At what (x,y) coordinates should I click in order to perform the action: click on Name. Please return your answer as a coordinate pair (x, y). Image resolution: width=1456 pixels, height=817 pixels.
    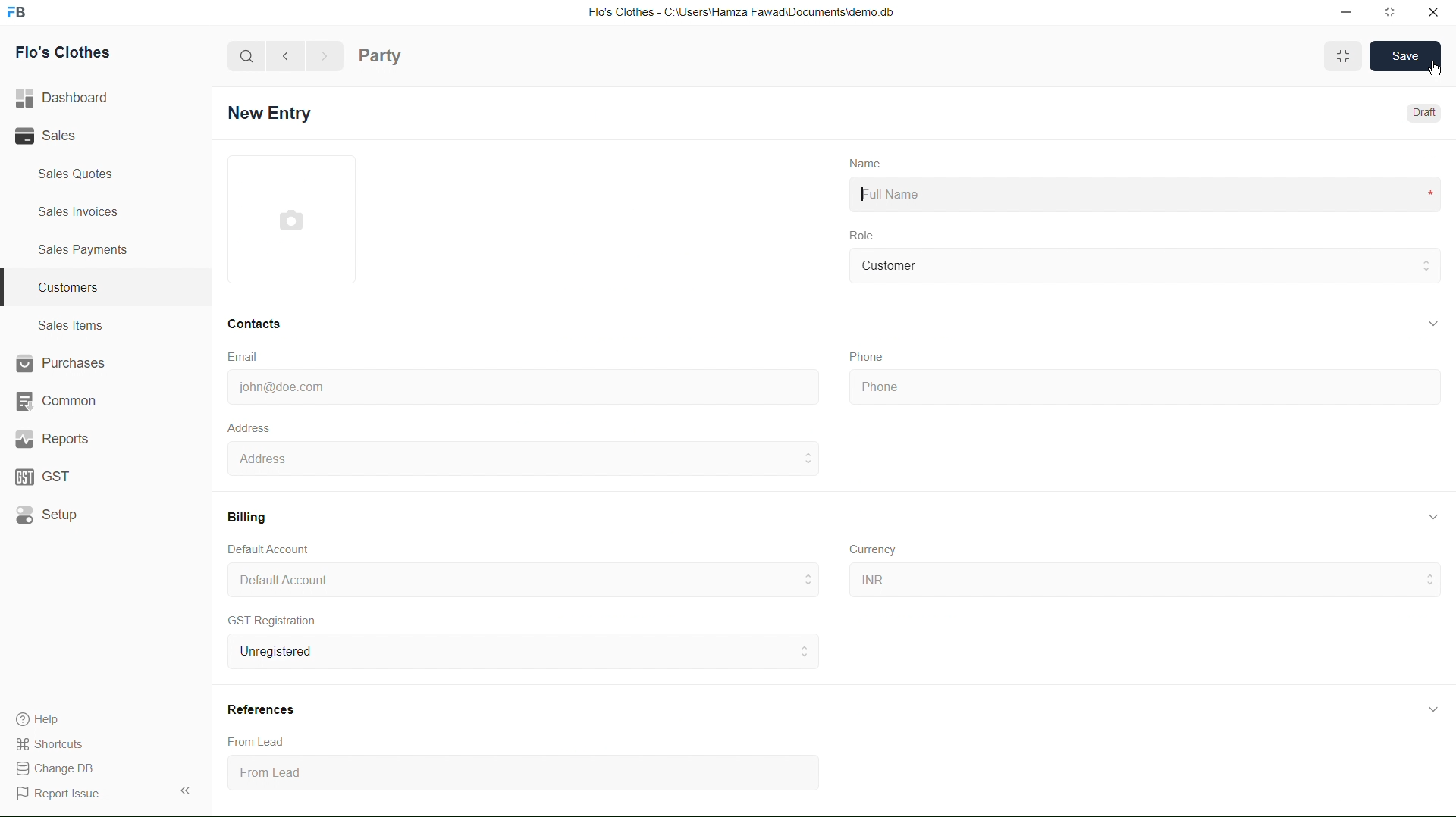
    Looking at the image, I should click on (868, 161).